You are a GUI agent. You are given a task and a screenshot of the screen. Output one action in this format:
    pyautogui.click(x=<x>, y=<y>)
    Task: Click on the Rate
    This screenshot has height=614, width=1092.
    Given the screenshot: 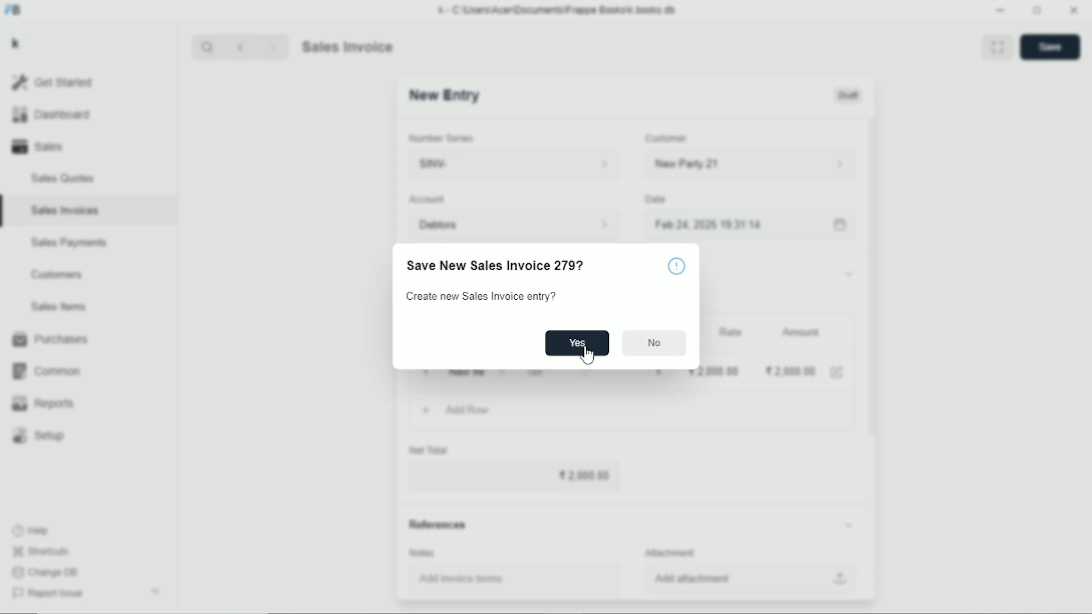 What is the action you would take?
    pyautogui.click(x=732, y=330)
    